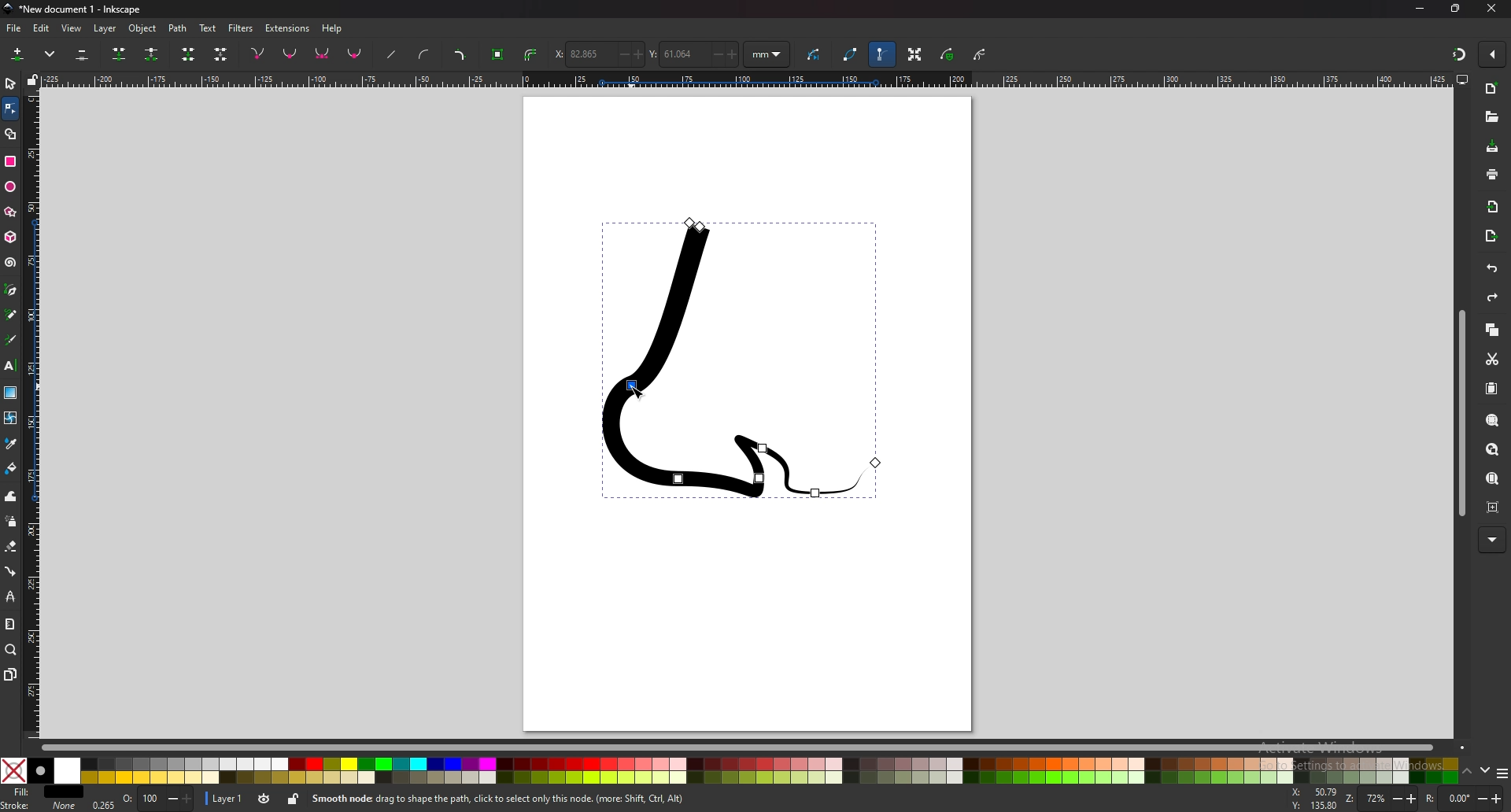 The height and width of the screenshot is (812, 1511). Describe the element at coordinates (11, 290) in the screenshot. I see `pen` at that location.